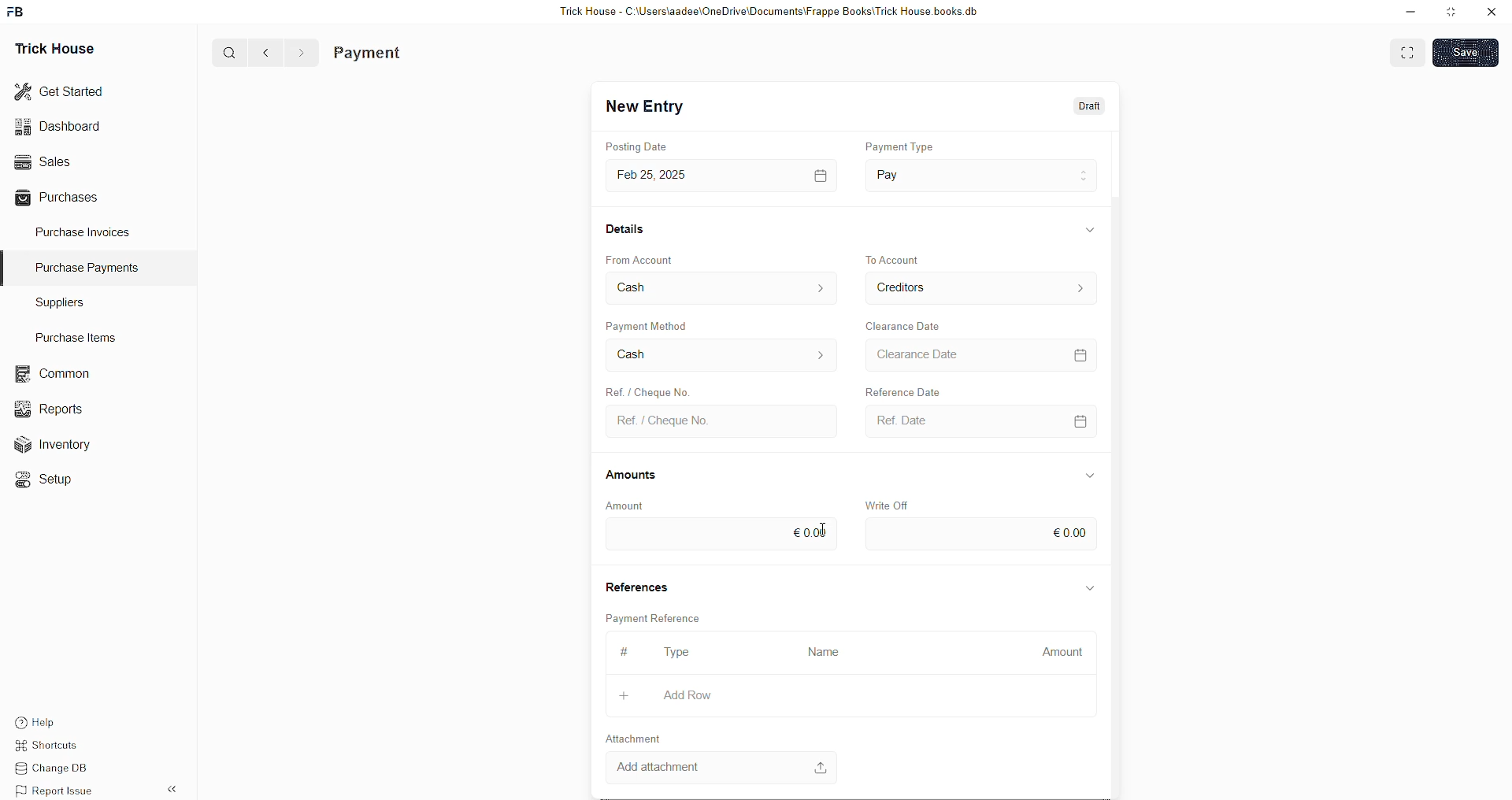 This screenshot has height=800, width=1512. What do you see at coordinates (787, 531) in the screenshot?
I see `eool` at bounding box center [787, 531].